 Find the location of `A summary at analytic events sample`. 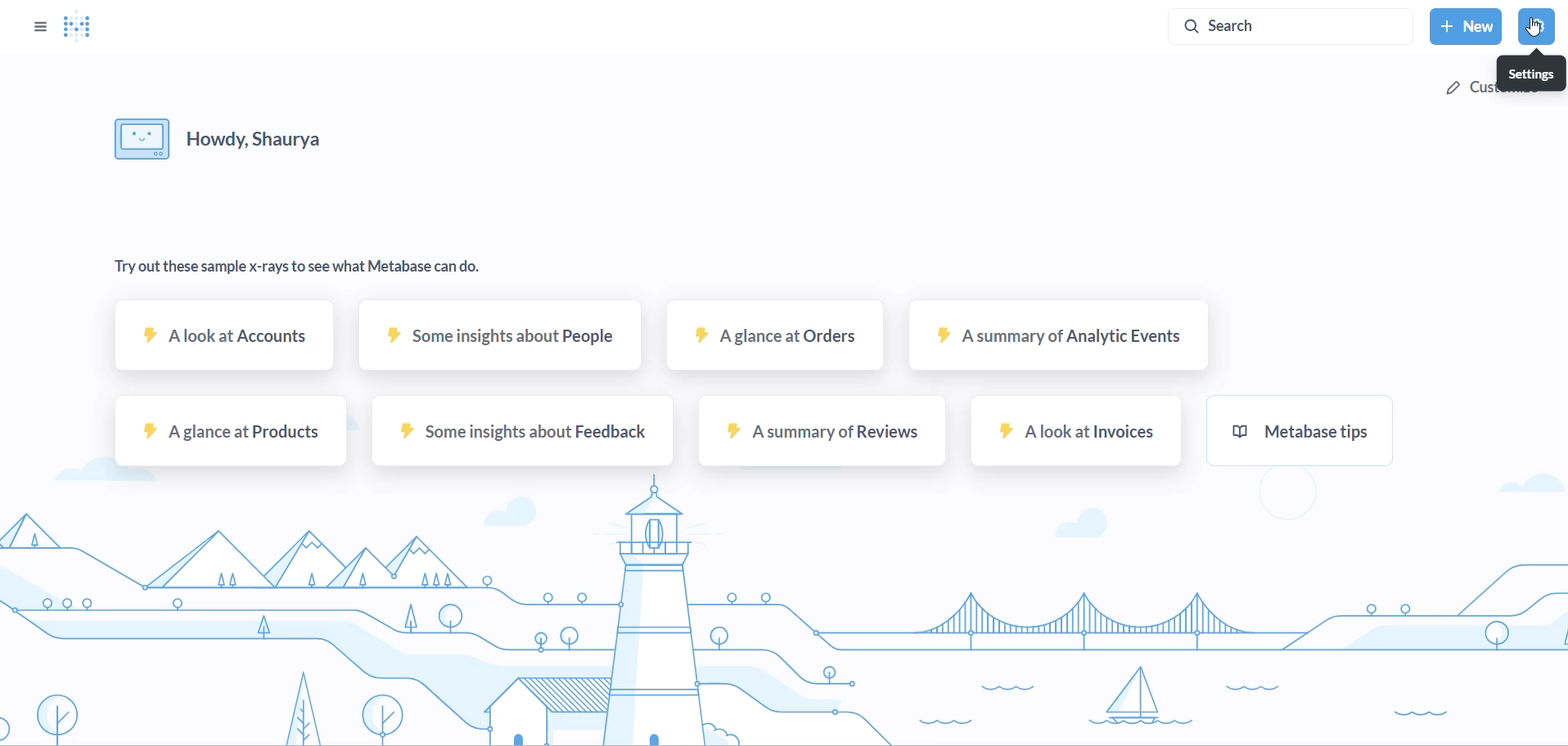

A summary at analytic events sample is located at coordinates (1060, 339).